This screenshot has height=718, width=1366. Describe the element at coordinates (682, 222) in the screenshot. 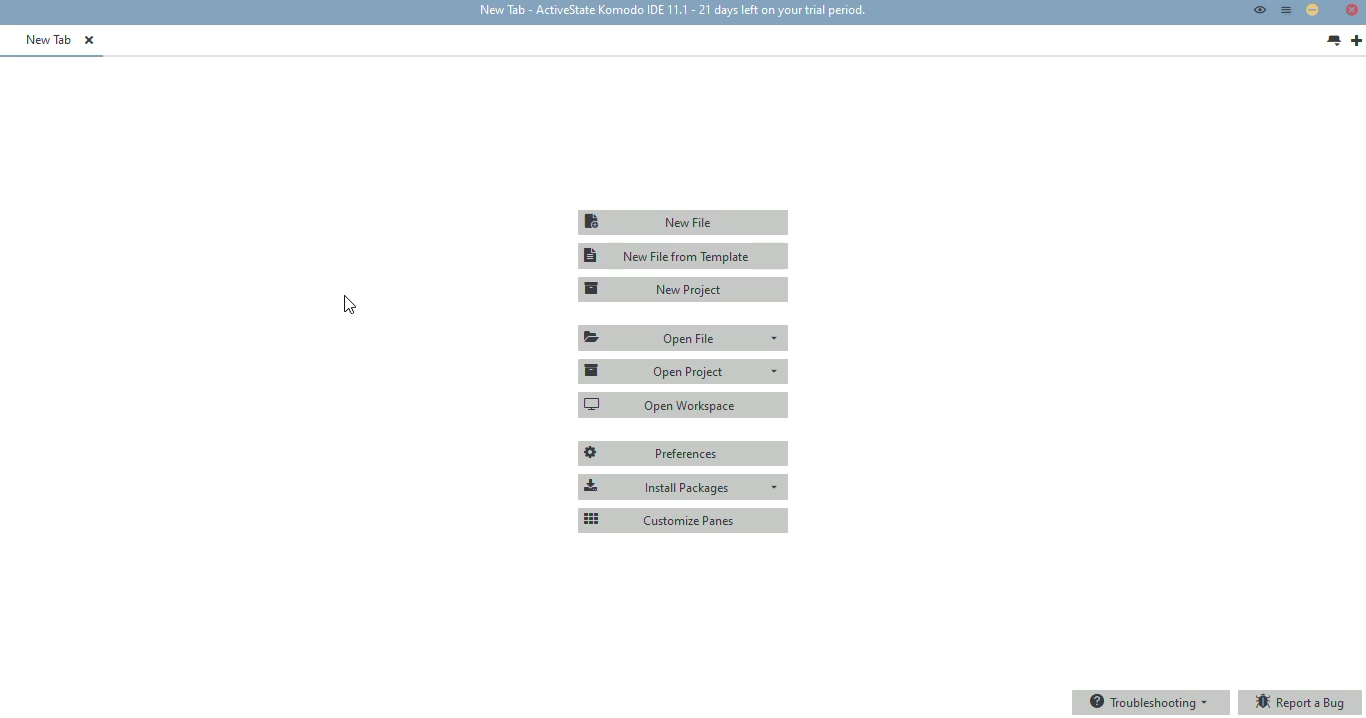

I see `new file` at that location.